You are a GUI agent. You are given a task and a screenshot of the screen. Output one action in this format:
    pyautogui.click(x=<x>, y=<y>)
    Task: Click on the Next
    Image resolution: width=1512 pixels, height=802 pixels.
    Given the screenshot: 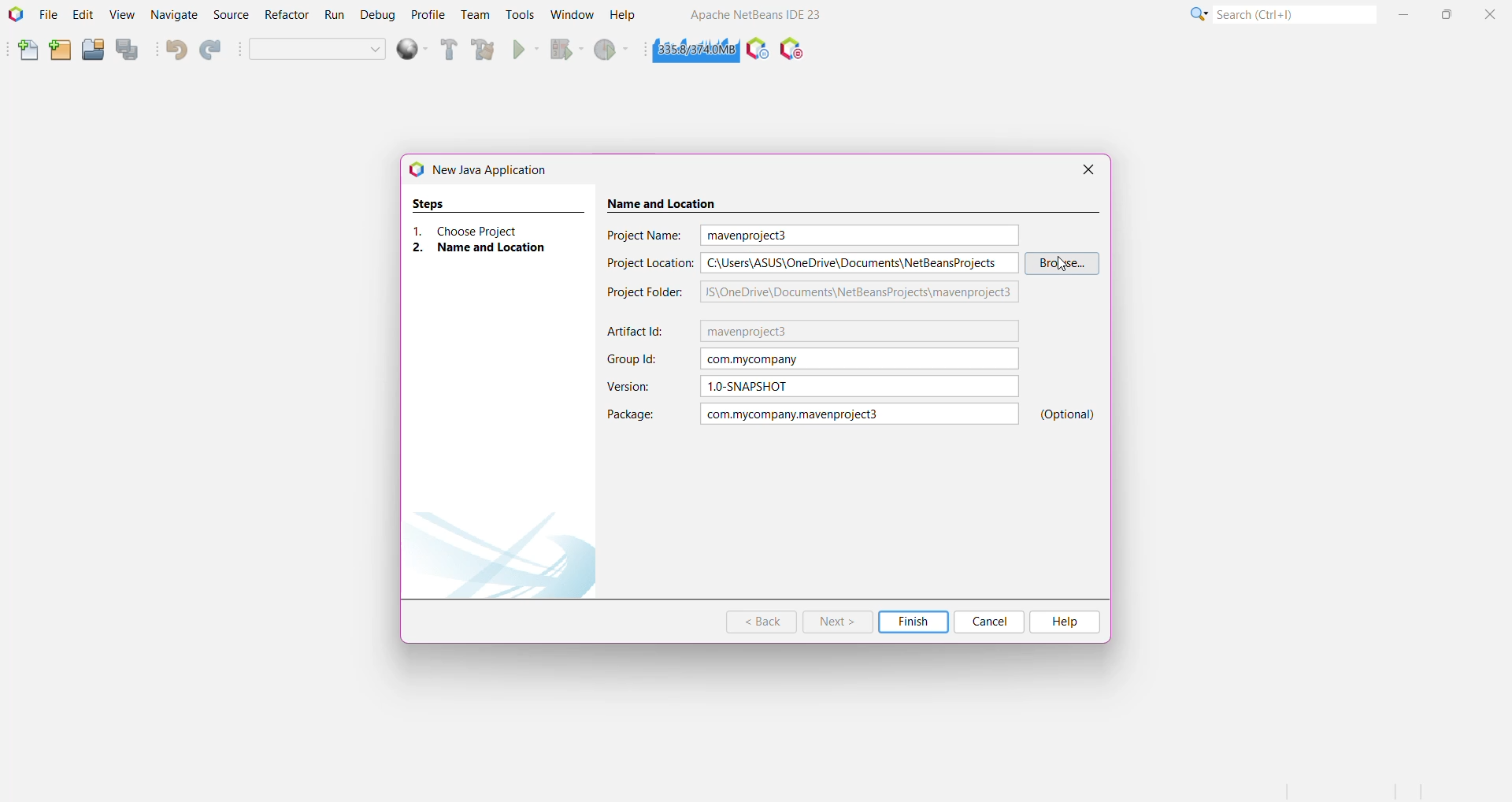 What is the action you would take?
    pyautogui.click(x=836, y=622)
    